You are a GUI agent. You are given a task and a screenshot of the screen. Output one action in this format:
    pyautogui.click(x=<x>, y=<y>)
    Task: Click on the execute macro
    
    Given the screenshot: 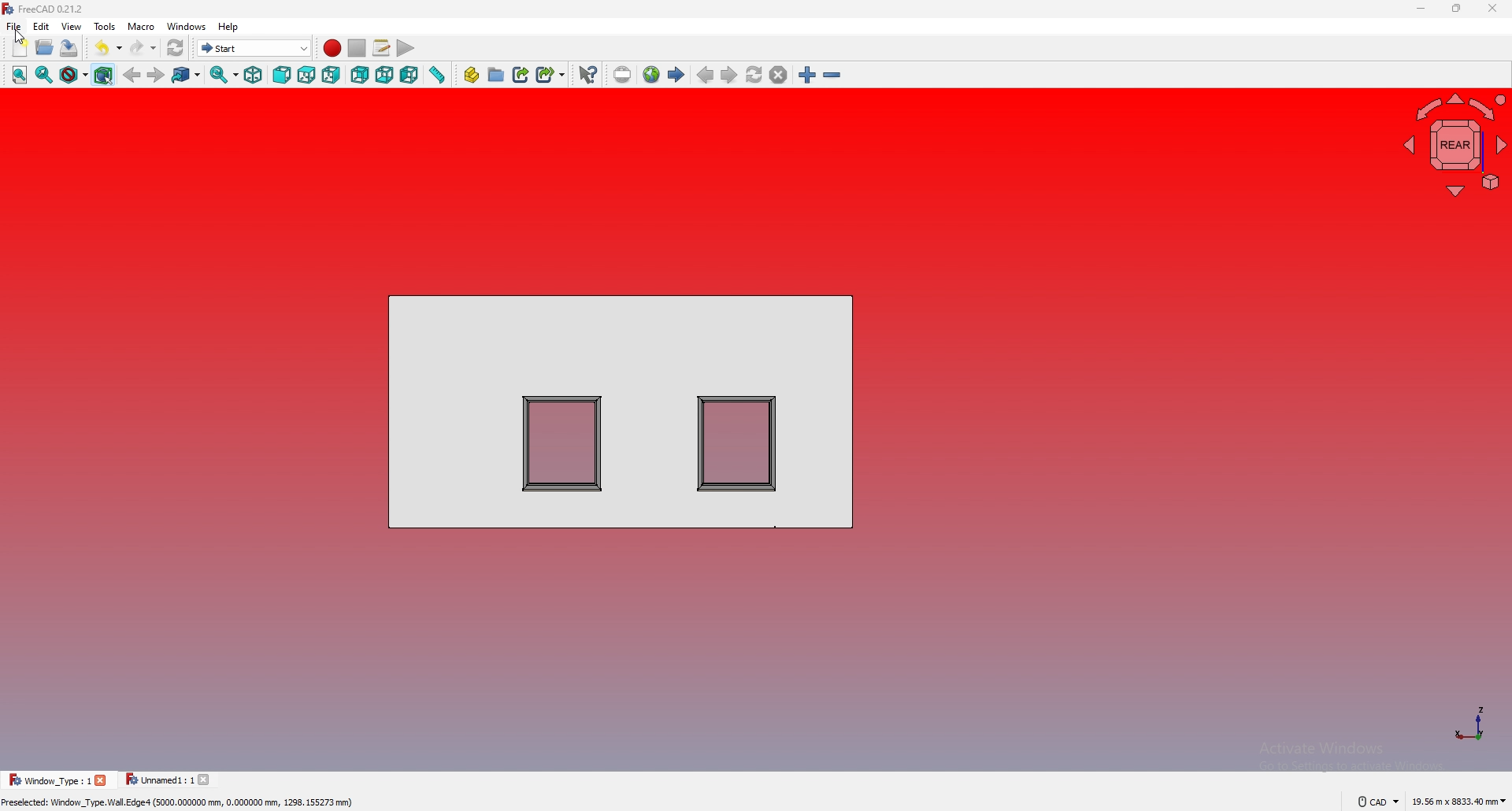 What is the action you would take?
    pyautogui.click(x=406, y=49)
    